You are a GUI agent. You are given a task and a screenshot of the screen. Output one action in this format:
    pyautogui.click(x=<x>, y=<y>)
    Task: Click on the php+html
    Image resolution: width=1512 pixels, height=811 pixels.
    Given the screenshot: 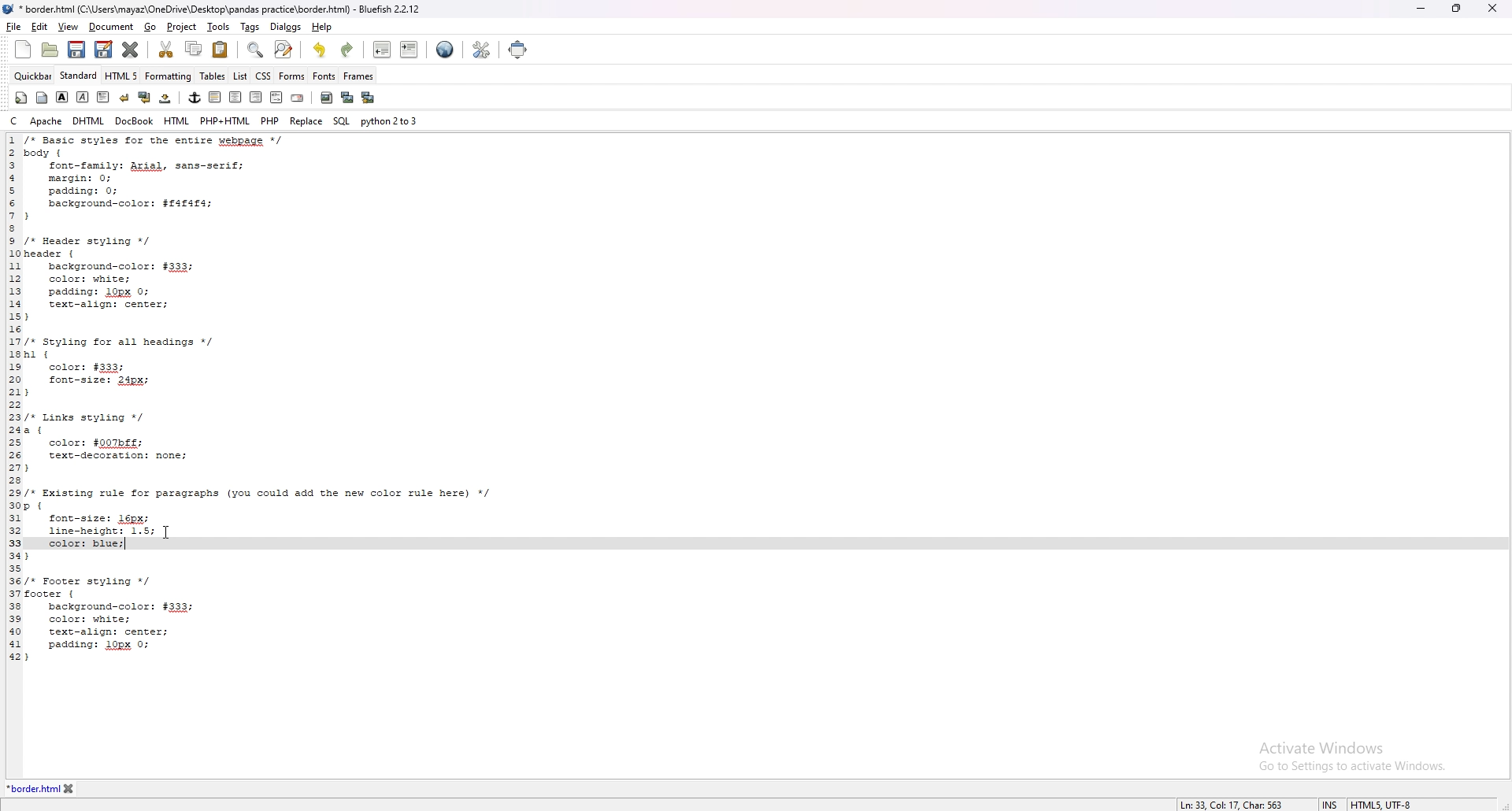 What is the action you would take?
    pyautogui.click(x=224, y=120)
    